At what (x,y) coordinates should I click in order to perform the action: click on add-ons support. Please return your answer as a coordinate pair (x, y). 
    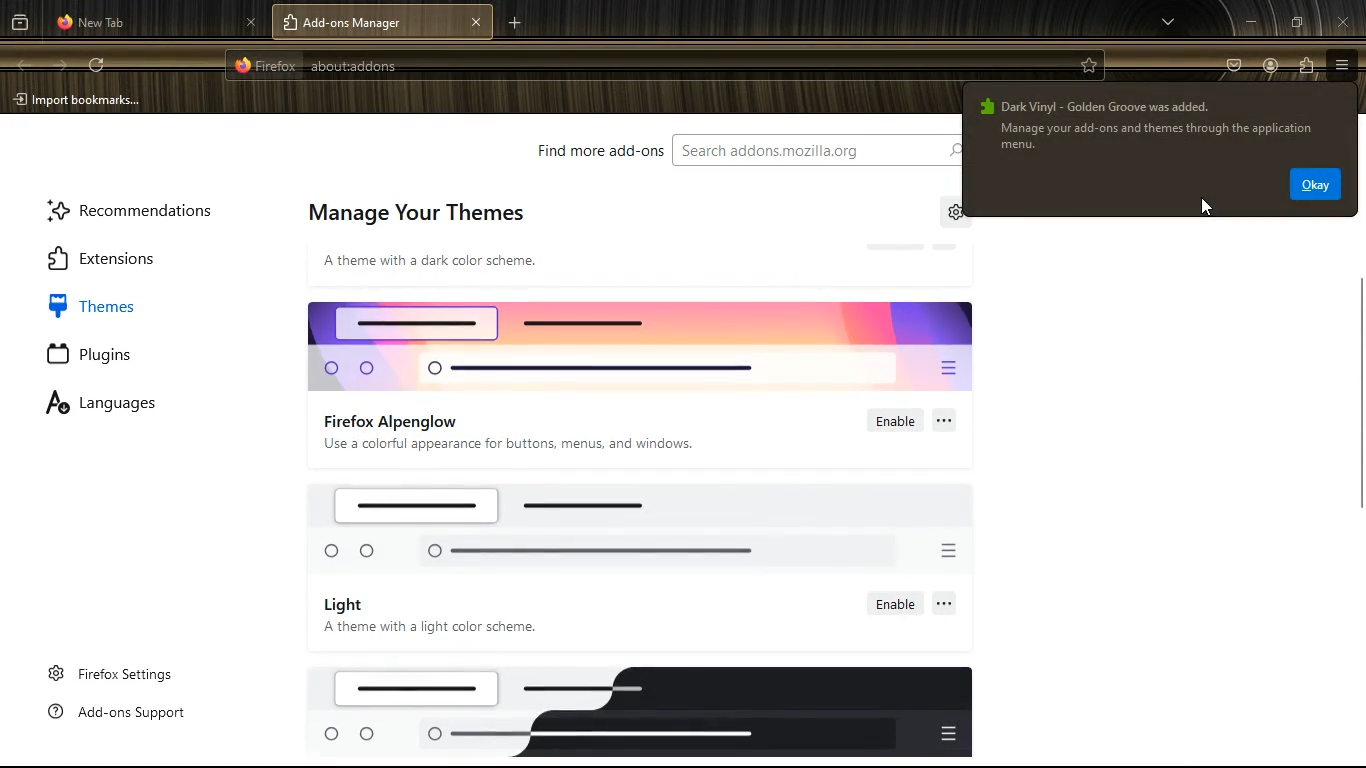
    Looking at the image, I should click on (123, 713).